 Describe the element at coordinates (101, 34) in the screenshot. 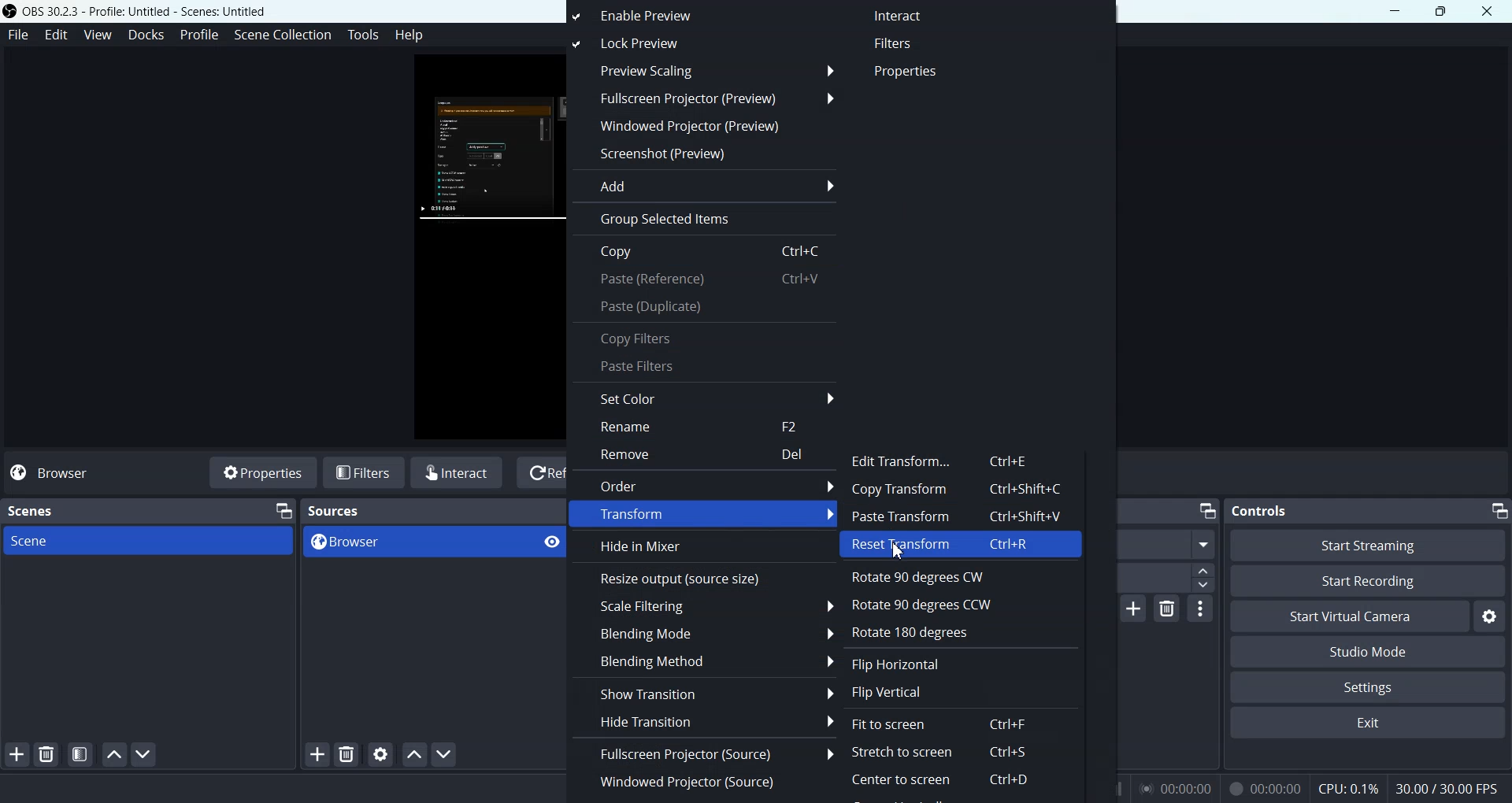

I see `View` at that location.